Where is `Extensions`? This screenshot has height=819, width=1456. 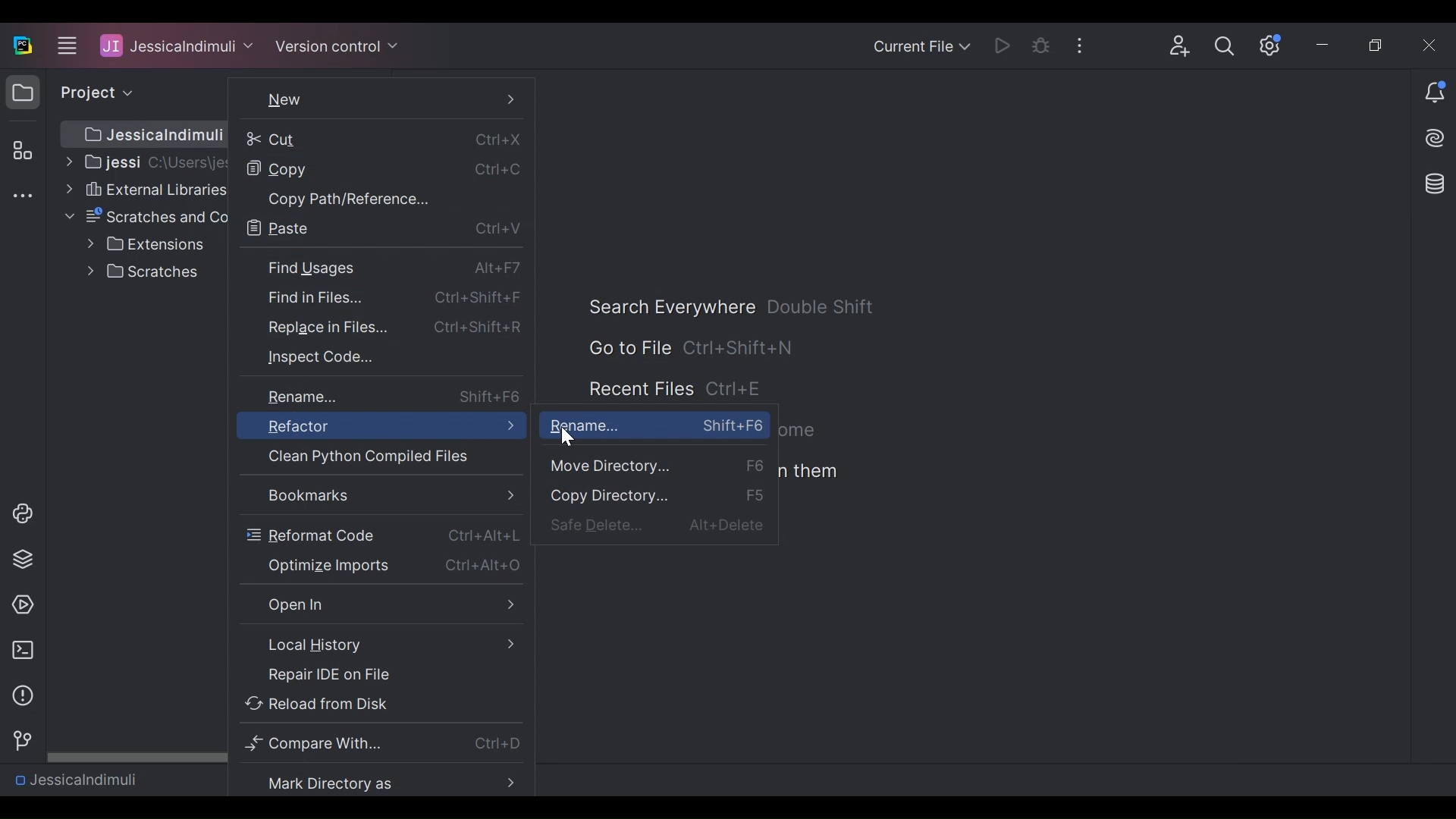
Extensions is located at coordinates (146, 244).